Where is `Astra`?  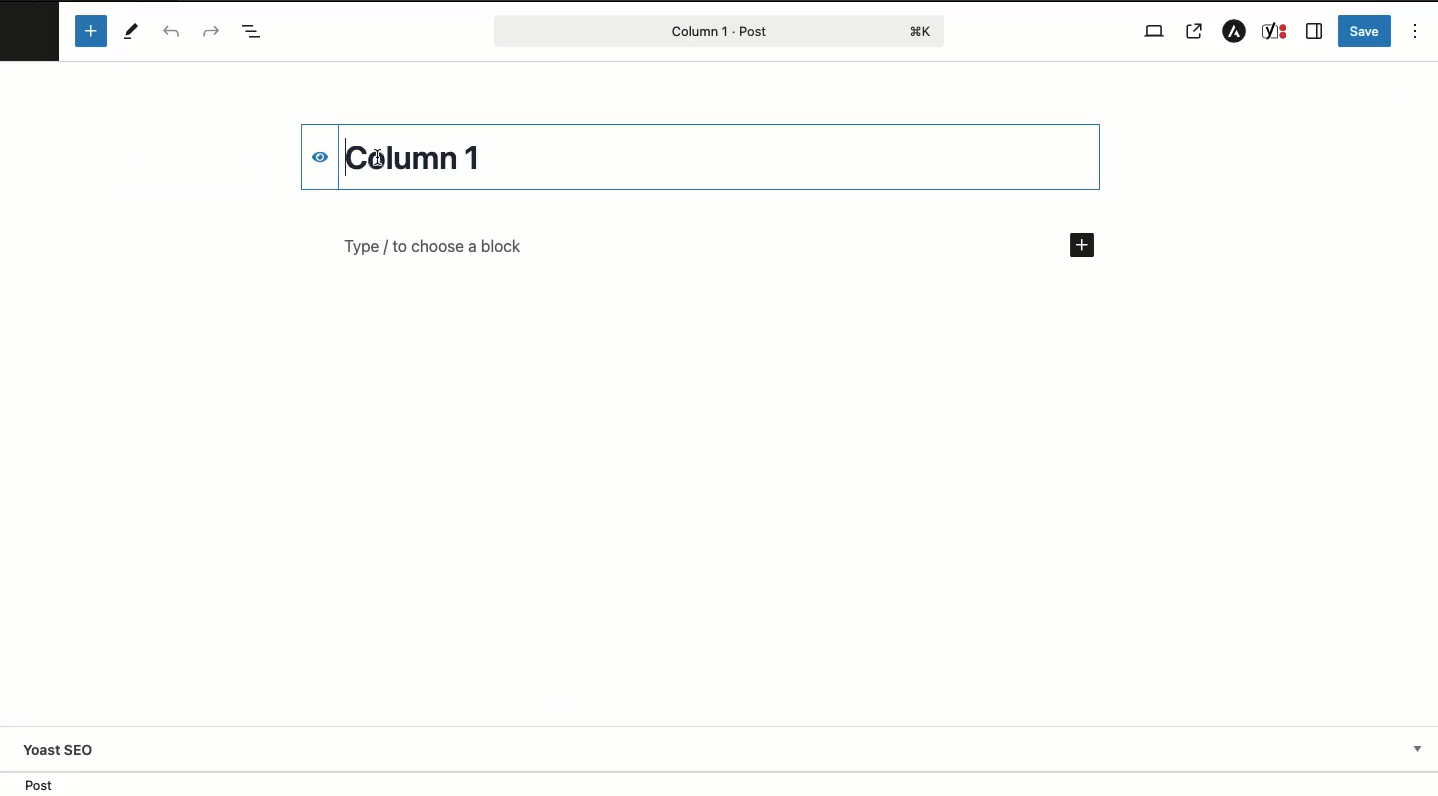 Astra is located at coordinates (1230, 32).